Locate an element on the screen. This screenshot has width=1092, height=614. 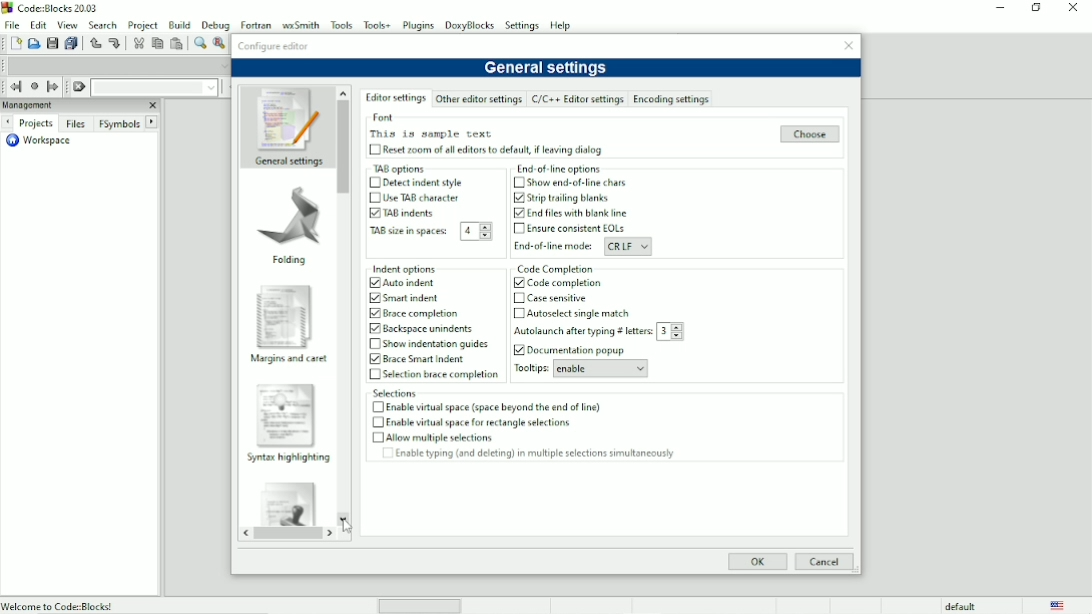
 is located at coordinates (372, 359).